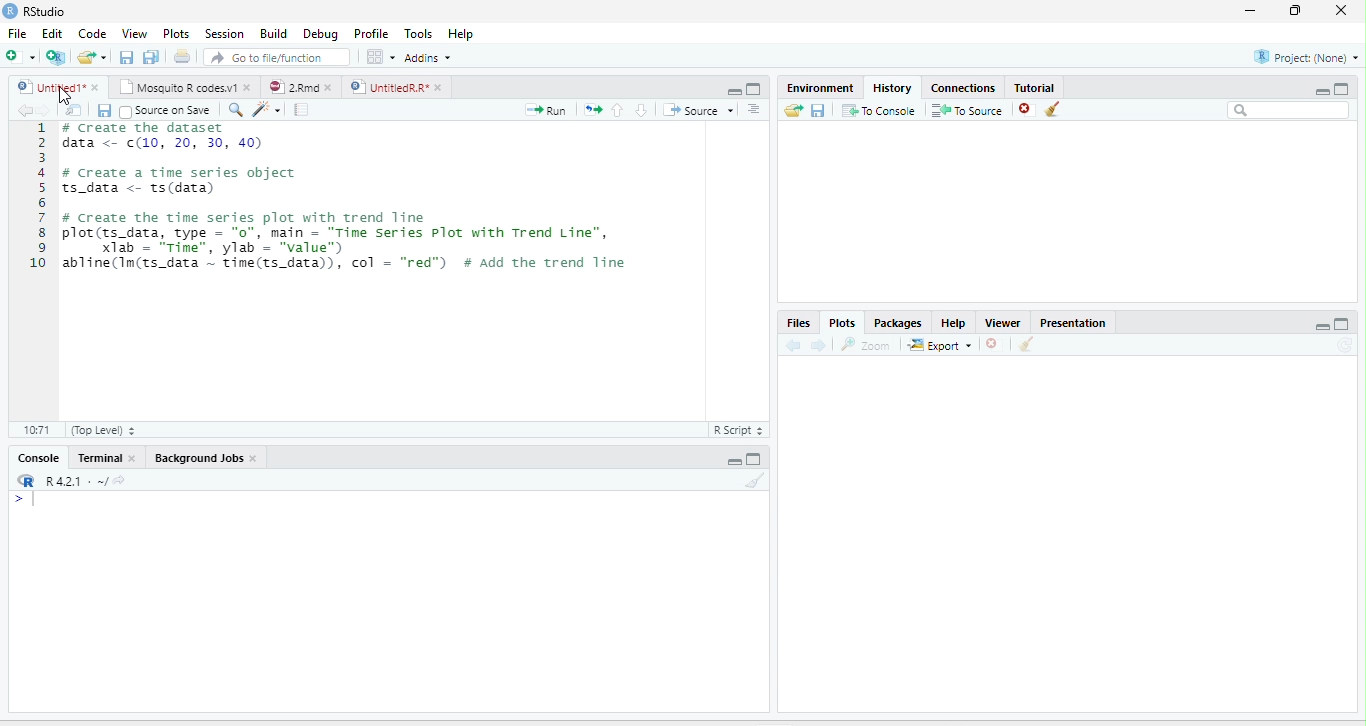  I want to click on minimize, so click(1250, 11).